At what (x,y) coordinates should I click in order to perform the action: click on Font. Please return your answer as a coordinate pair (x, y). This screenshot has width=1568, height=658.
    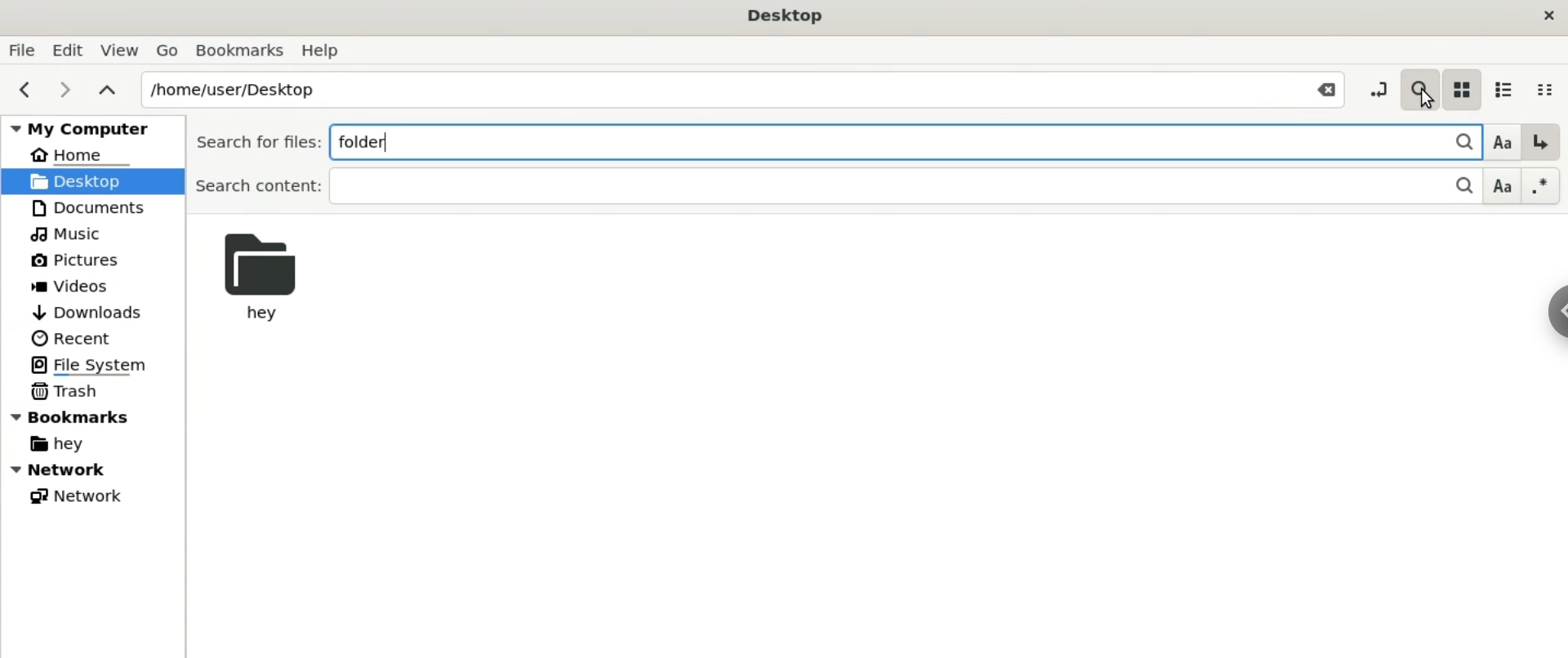
    Looking at the image, I should click on (1499, 141).